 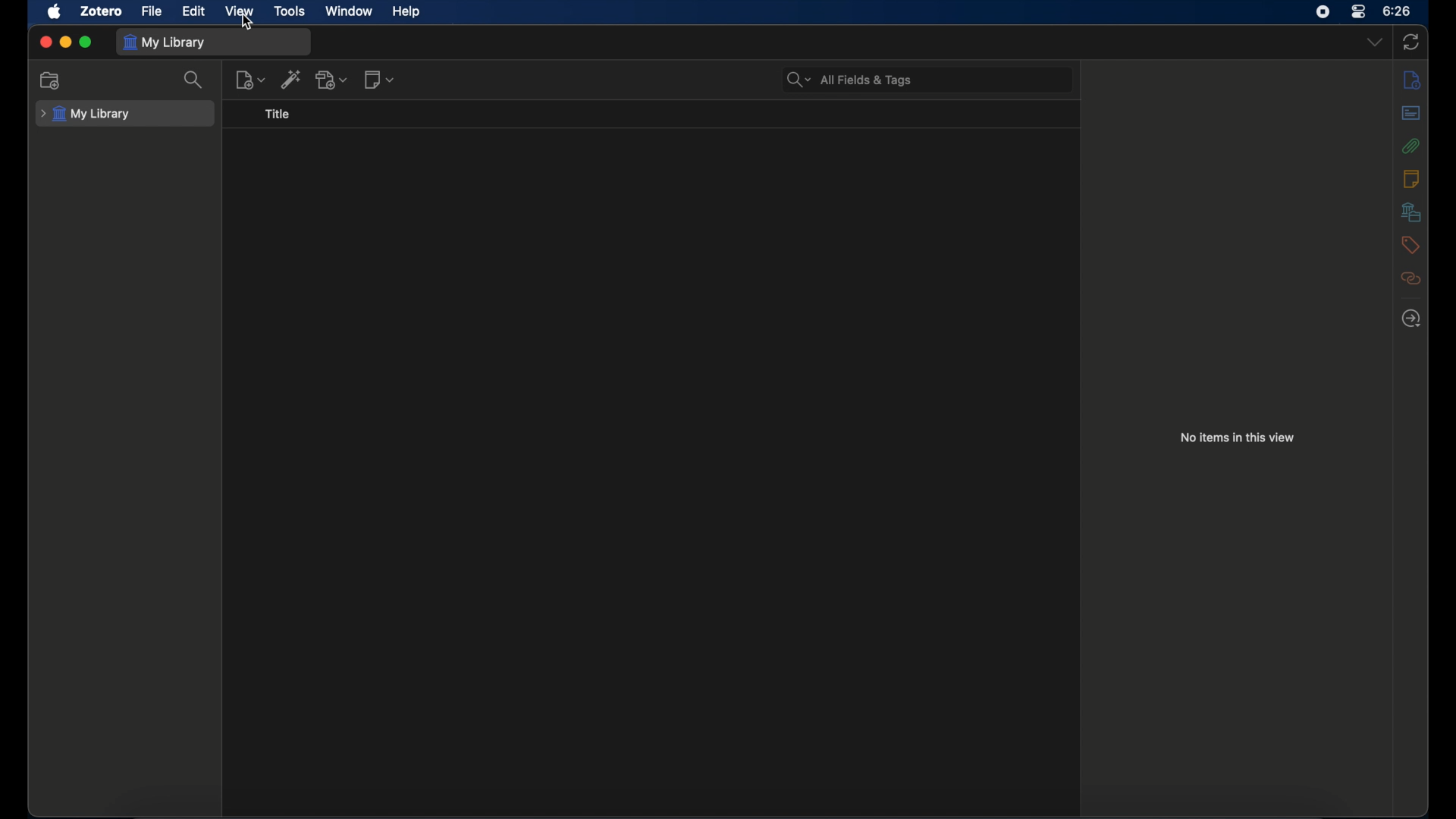 What do you see at coordinates (408, 11) in the screenshot?
I see `help` at bounding box center [408, 11].